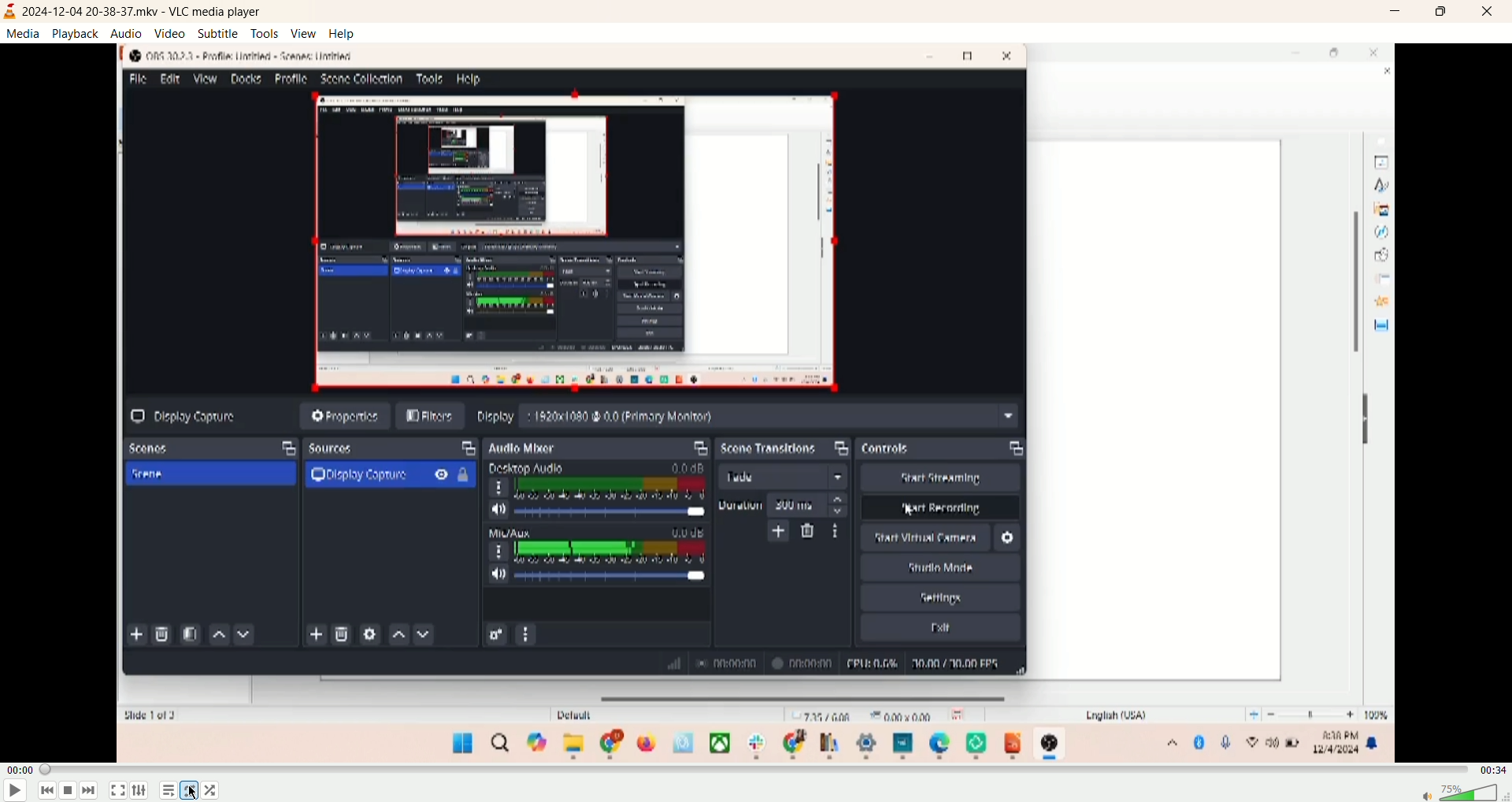 Image resolution: width=1512 pixels, height=802 pixels. What do you see at coordinates (1492, 12) in the screenshot?
I see `close` at bounding box center [1492, 12].